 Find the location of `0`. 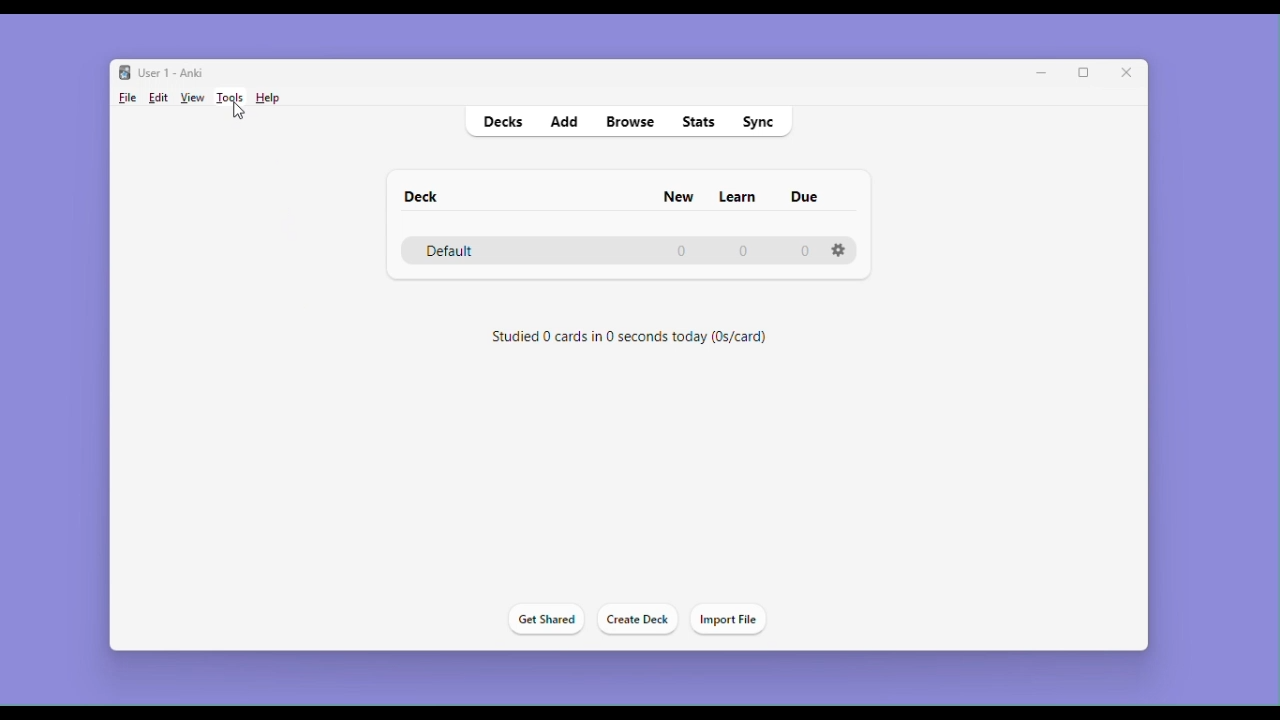

0 is located at coordinates (804, 248).